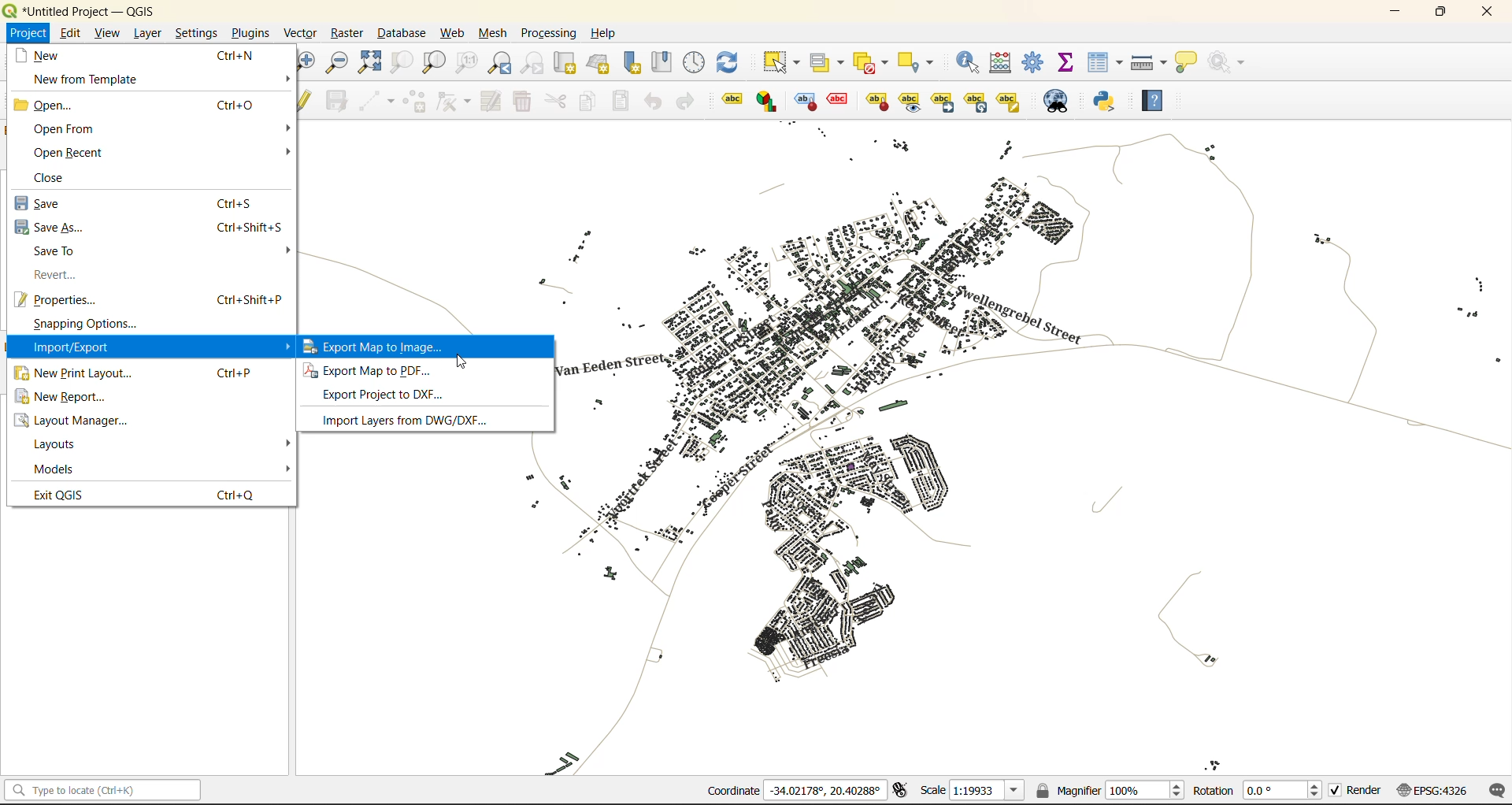  Describe the element at coordinates (802, 101) in the screenshot. I see ` toggle display` at that location.